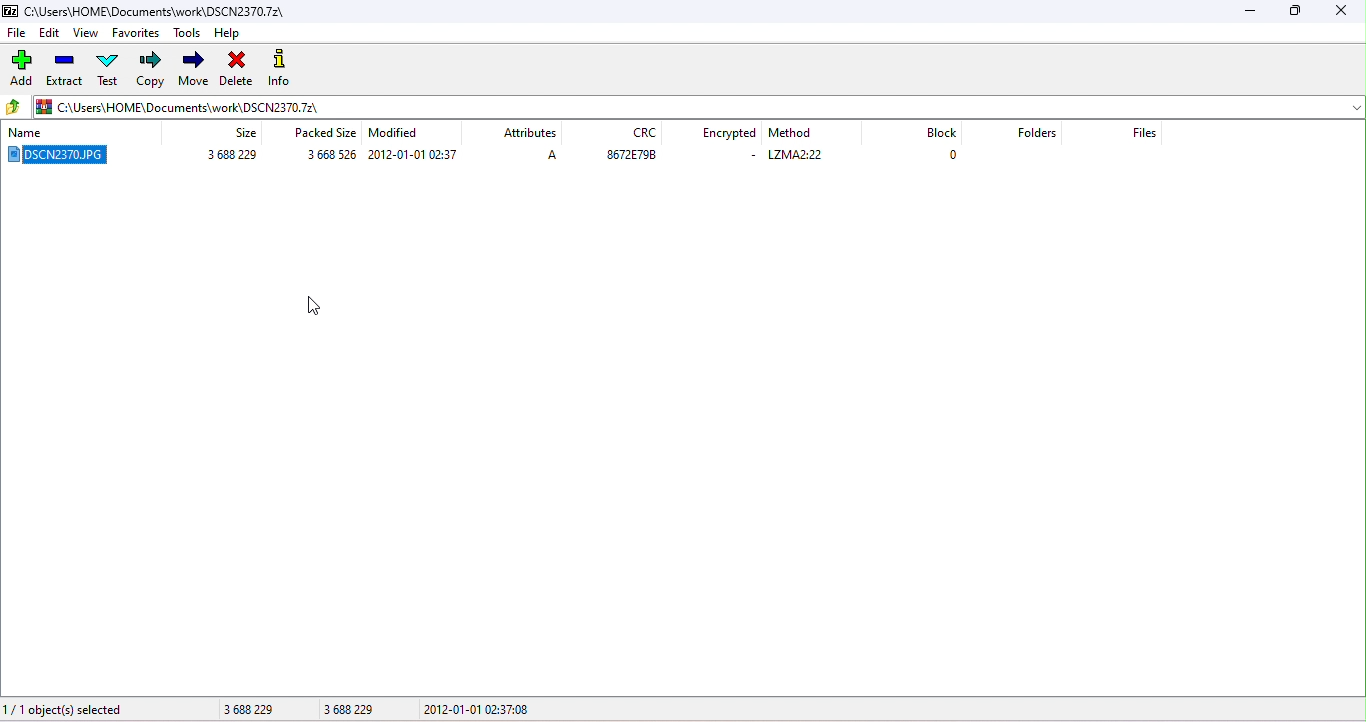  I want to click on text, so click(800, 157).